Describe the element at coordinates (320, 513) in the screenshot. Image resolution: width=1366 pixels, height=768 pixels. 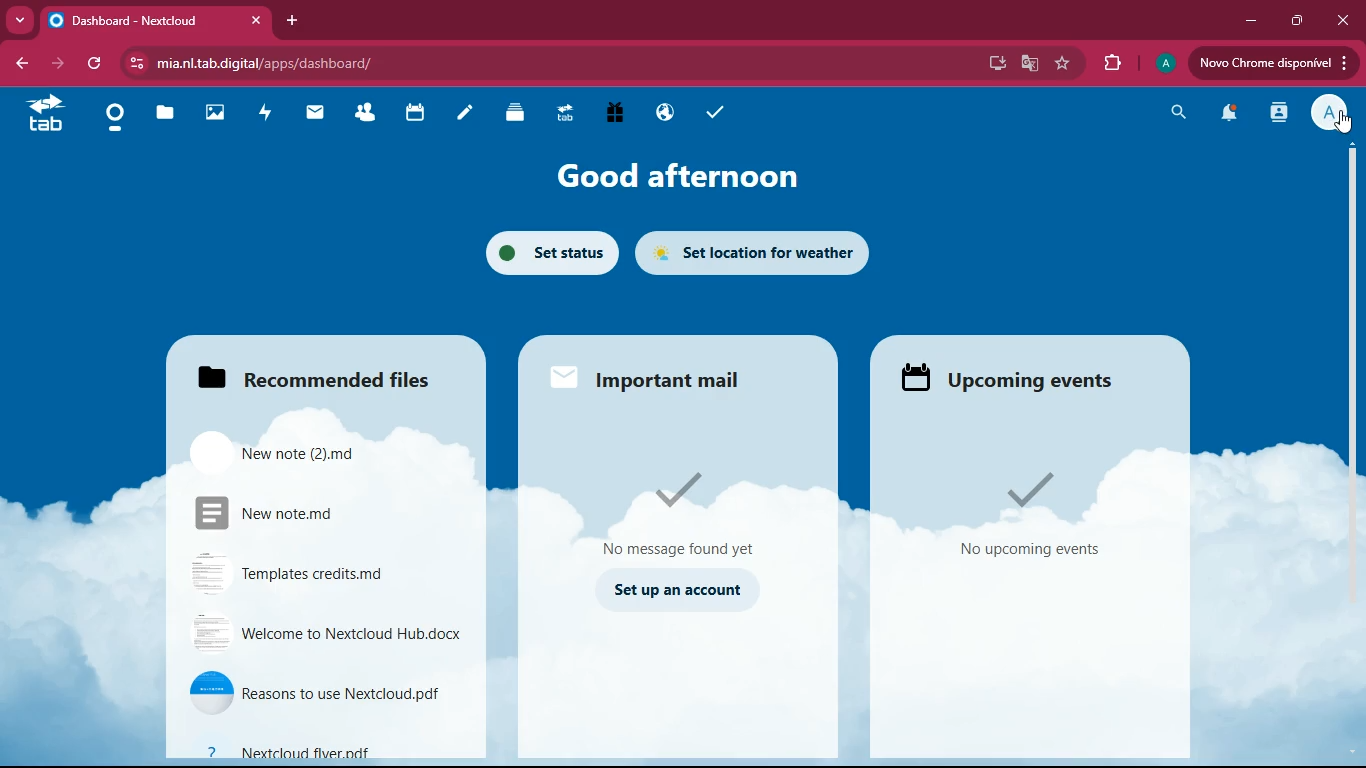
I see `files` at that location.